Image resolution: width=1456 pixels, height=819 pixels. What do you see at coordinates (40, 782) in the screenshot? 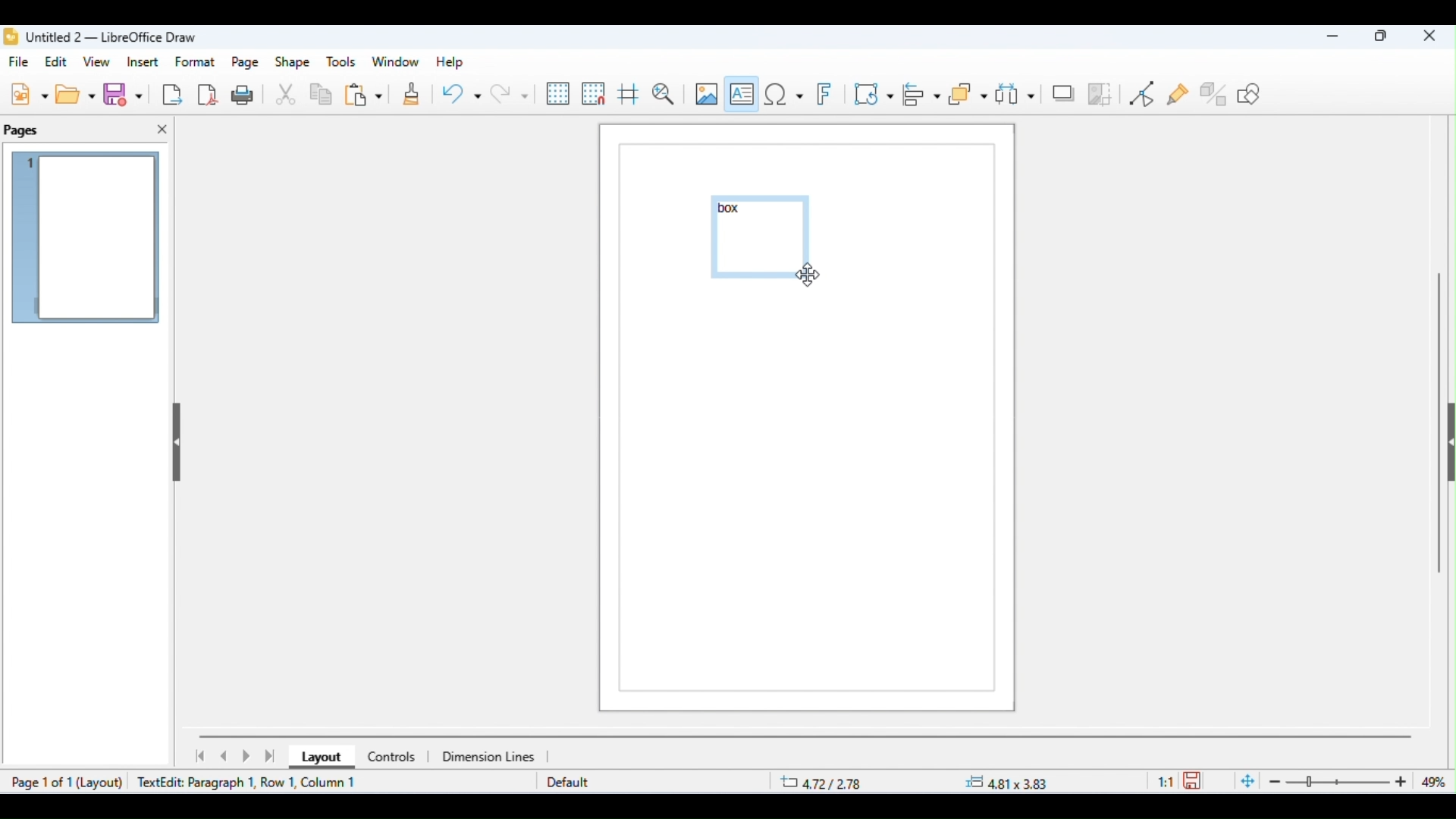
I see `page 1 of 1` at bounding box center [40, 782].